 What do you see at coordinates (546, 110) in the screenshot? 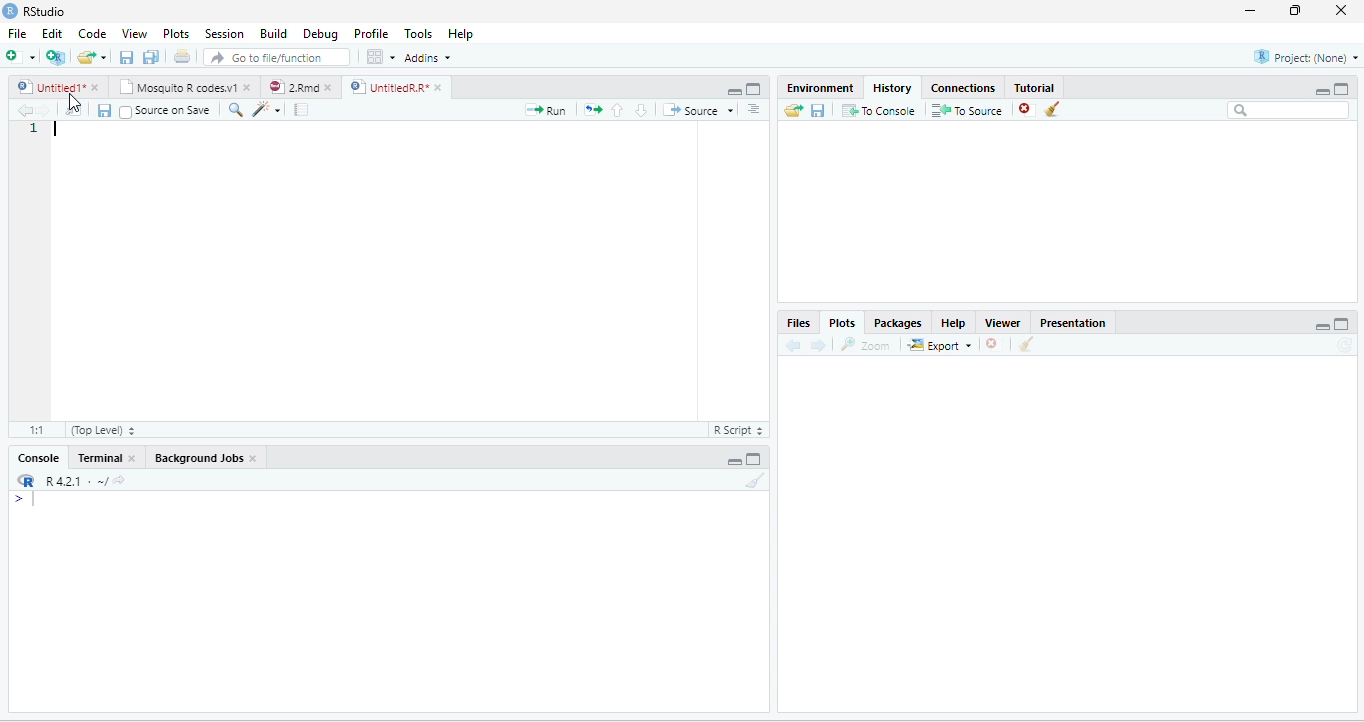
I see `Run` at bounding box center [546, 110].